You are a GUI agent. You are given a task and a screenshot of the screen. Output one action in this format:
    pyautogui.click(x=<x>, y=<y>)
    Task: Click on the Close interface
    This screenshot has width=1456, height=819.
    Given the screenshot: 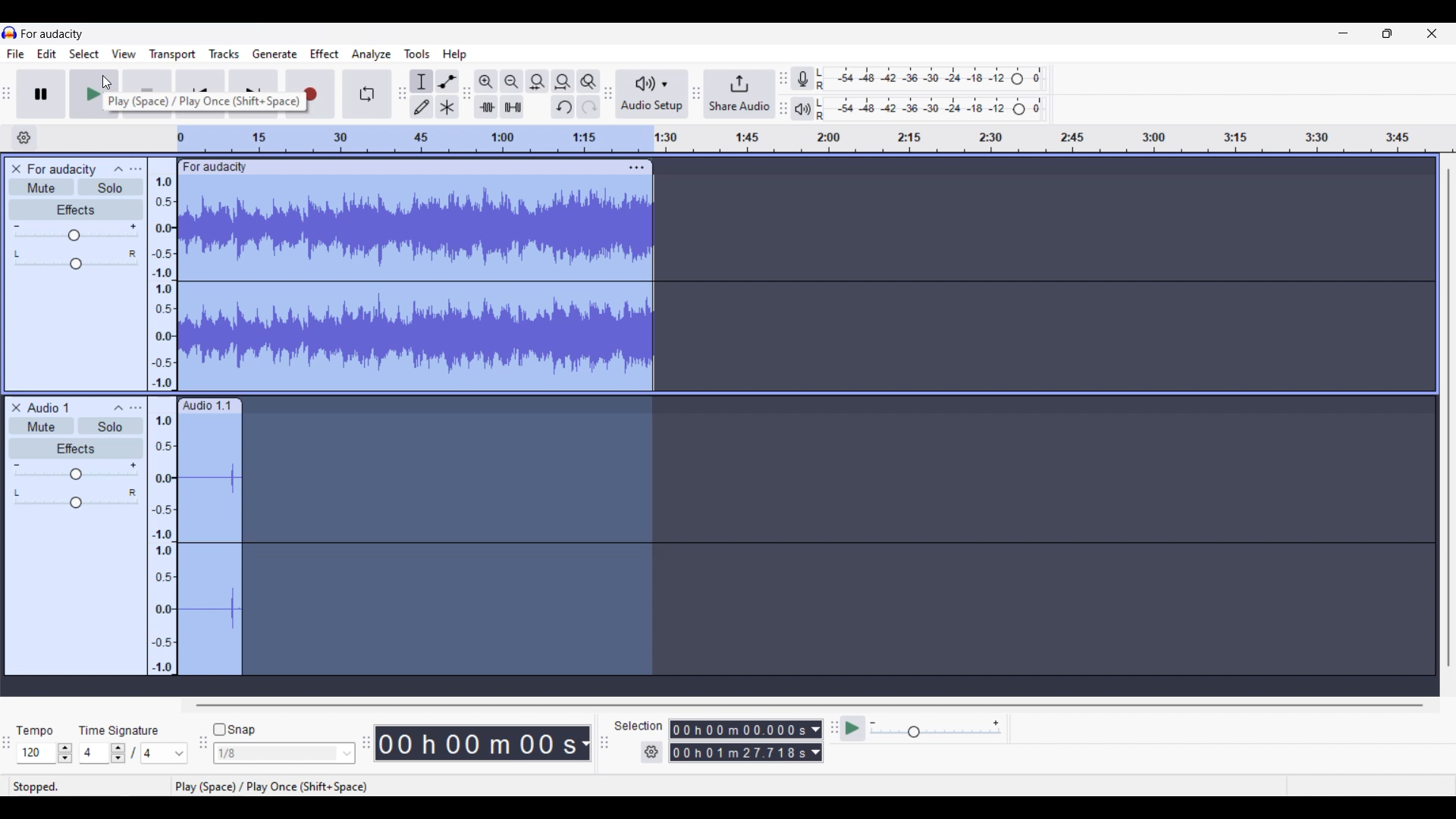 What is the action you would take?
    pyautogui.click(x=1432, y=33)
    